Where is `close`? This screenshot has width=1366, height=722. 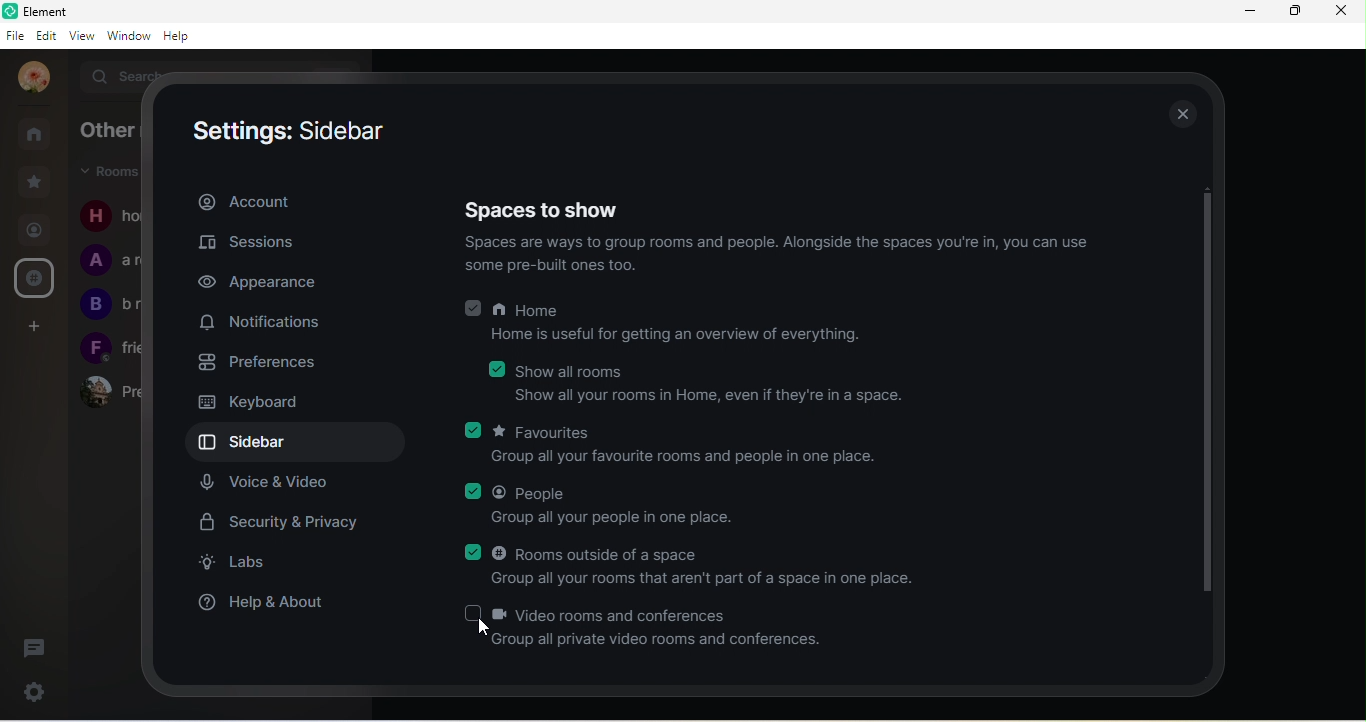 close is located at coordinates (1344, 13).